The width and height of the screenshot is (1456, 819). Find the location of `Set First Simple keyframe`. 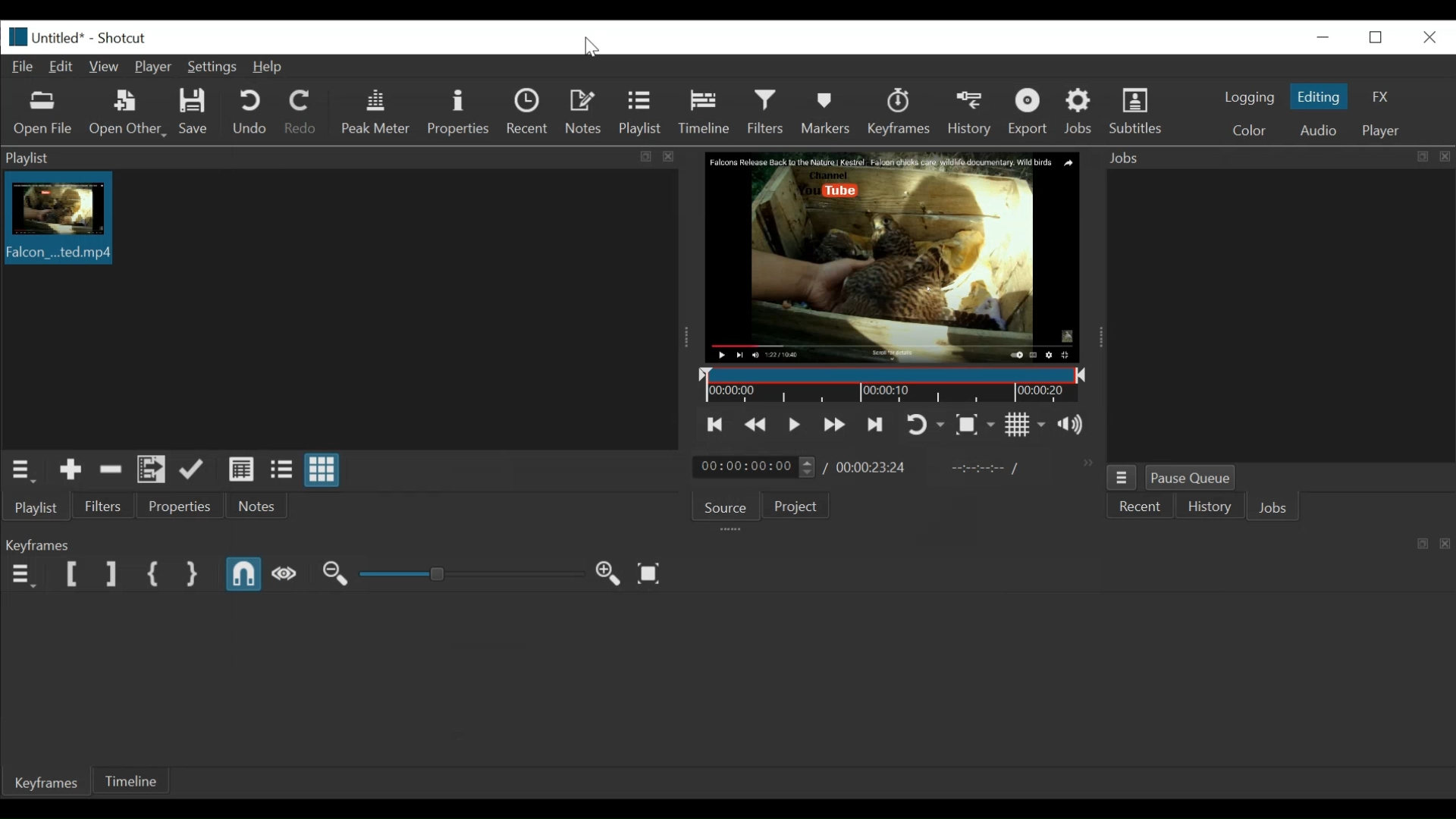

Set First Simple keyframe is located at coordinates (155, 576).